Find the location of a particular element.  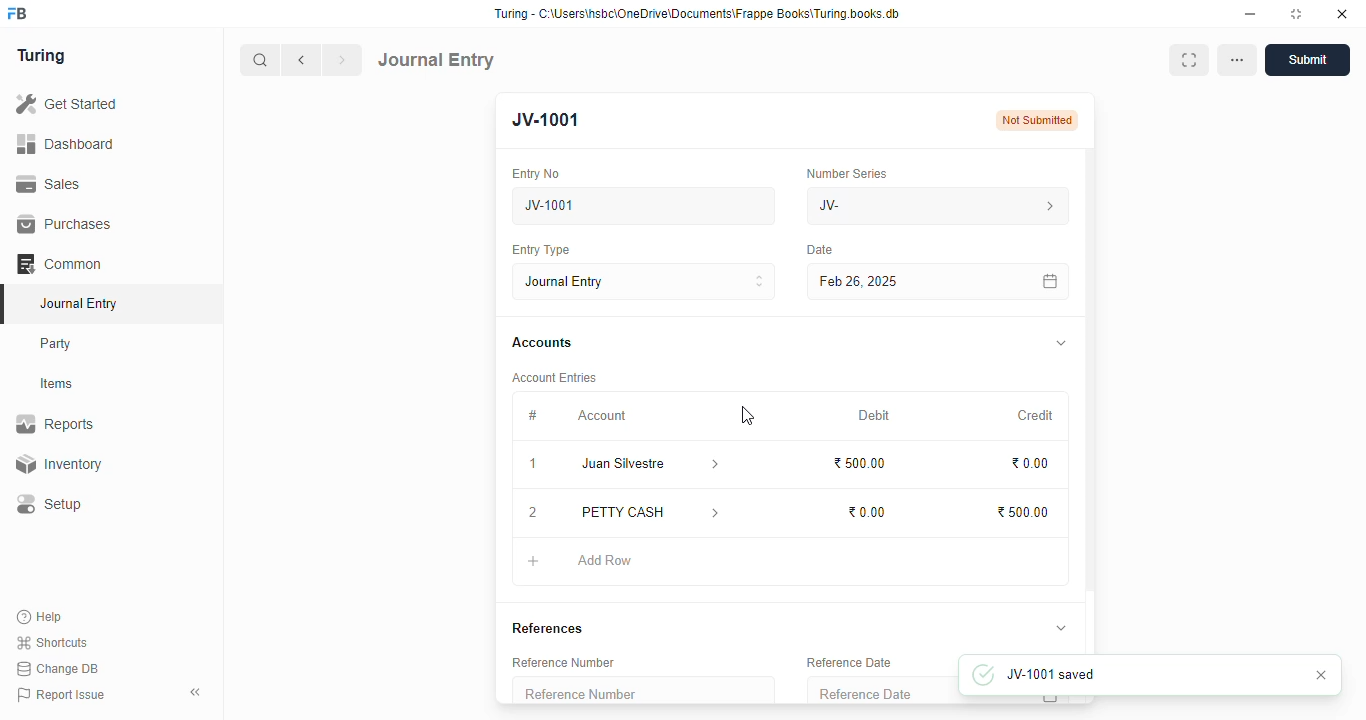

turing is located at coordinates (42, 57).